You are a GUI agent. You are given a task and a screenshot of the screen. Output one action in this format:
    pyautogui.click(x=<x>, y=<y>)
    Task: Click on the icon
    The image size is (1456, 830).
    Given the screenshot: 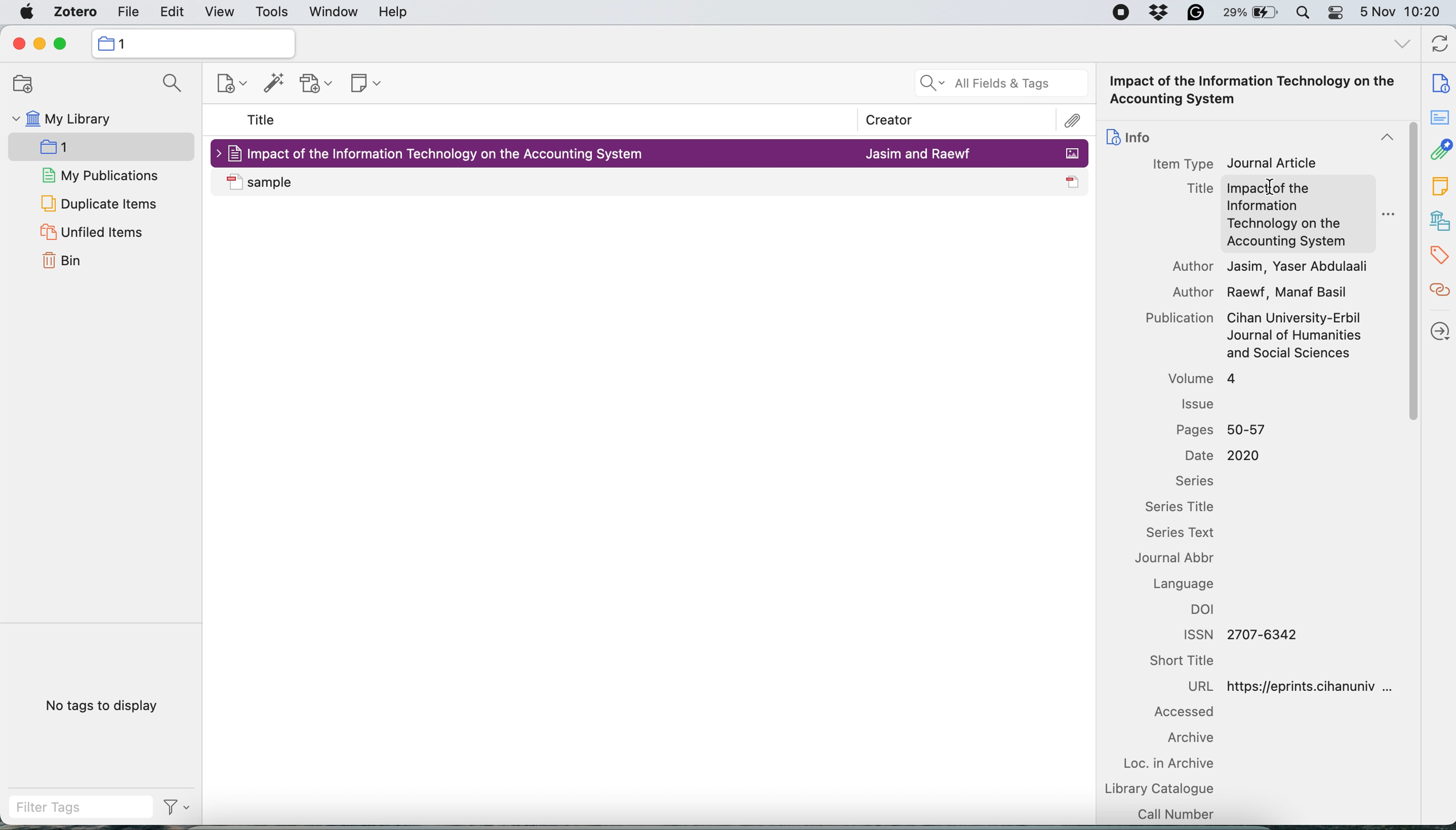 What is the action you would take?
    pyautogui.click(x=233, y=153)
    